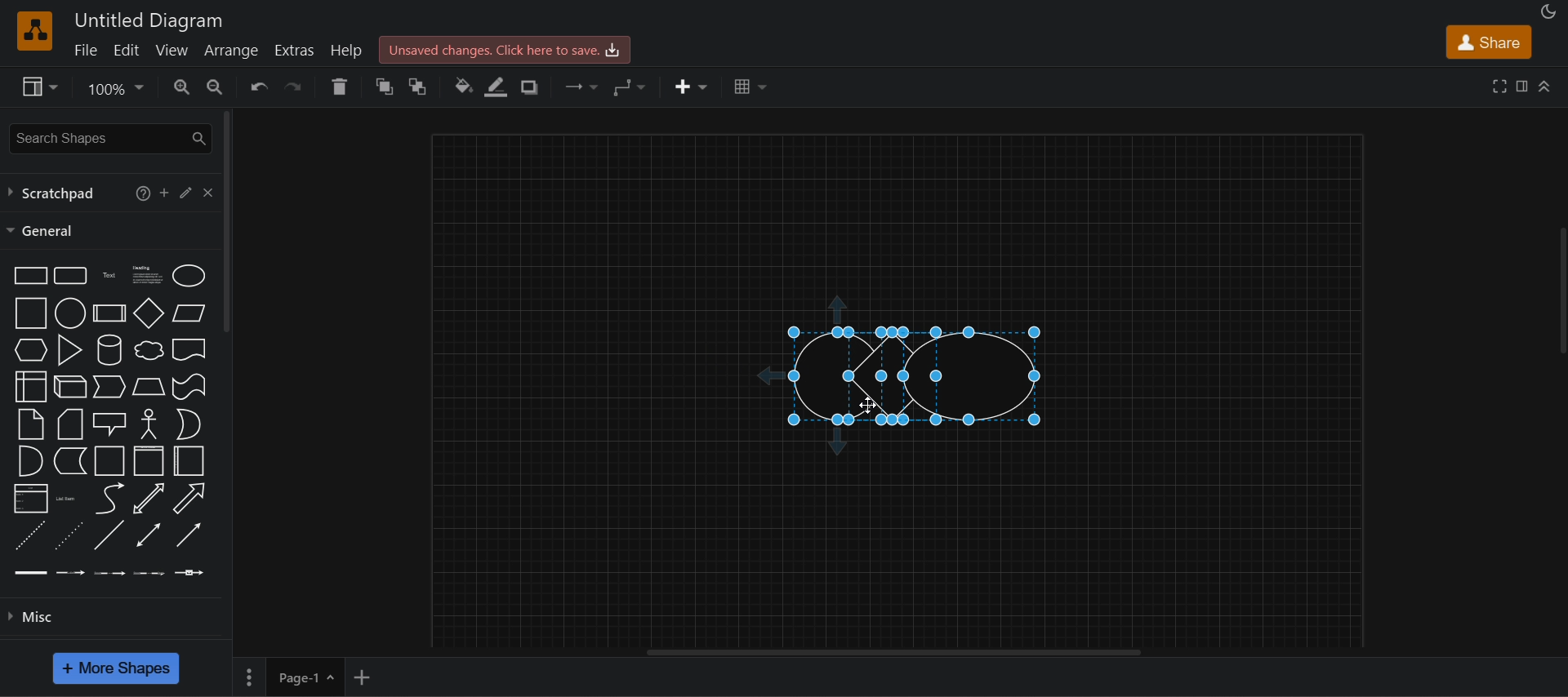 Image resolution: width=1568 pixels, height=697 pixels. Describe the element at coordinates (911, 331) in the screenshot. I see `action points to transform shape` at that location.